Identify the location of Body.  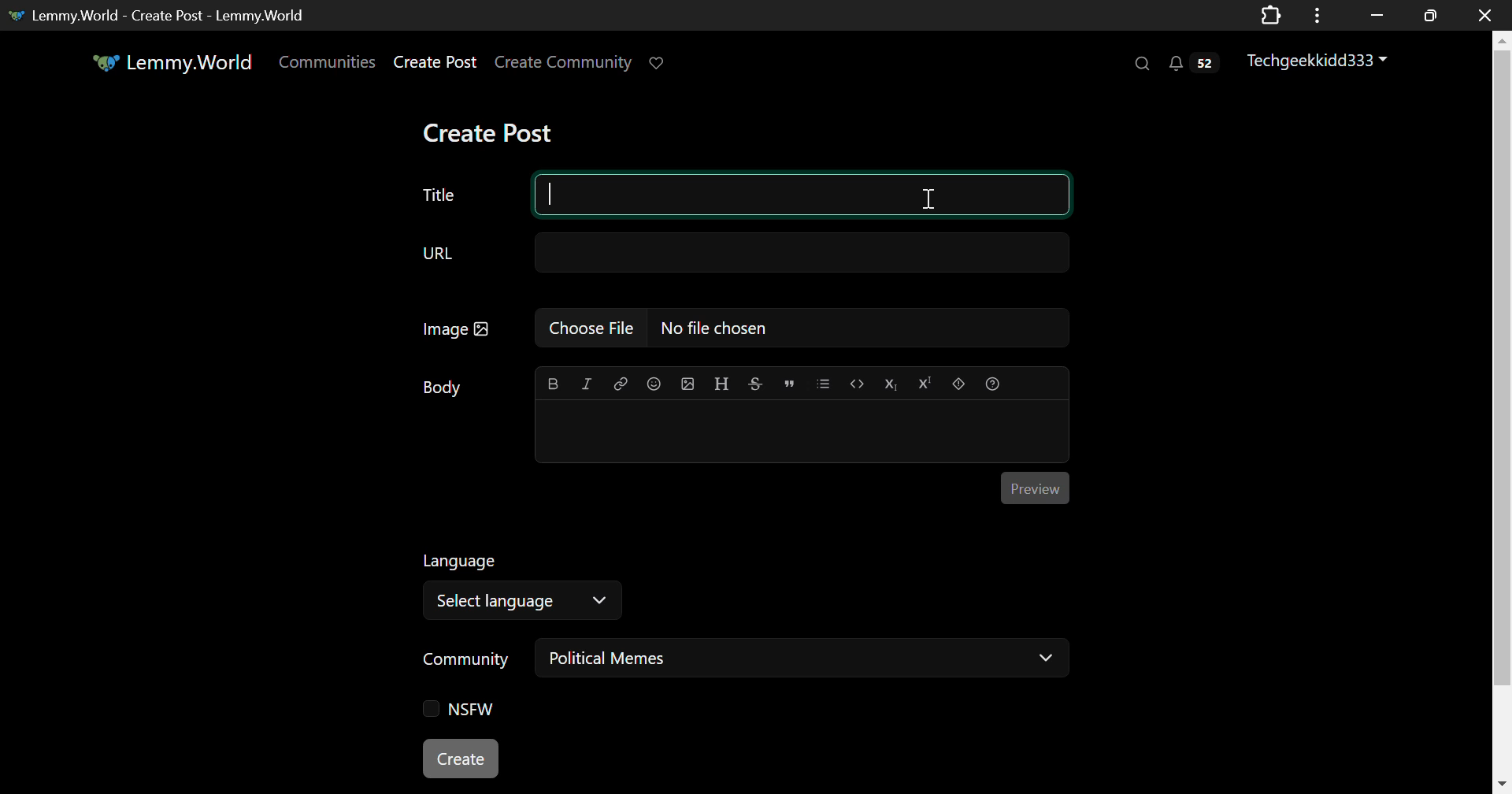
(441, 386).